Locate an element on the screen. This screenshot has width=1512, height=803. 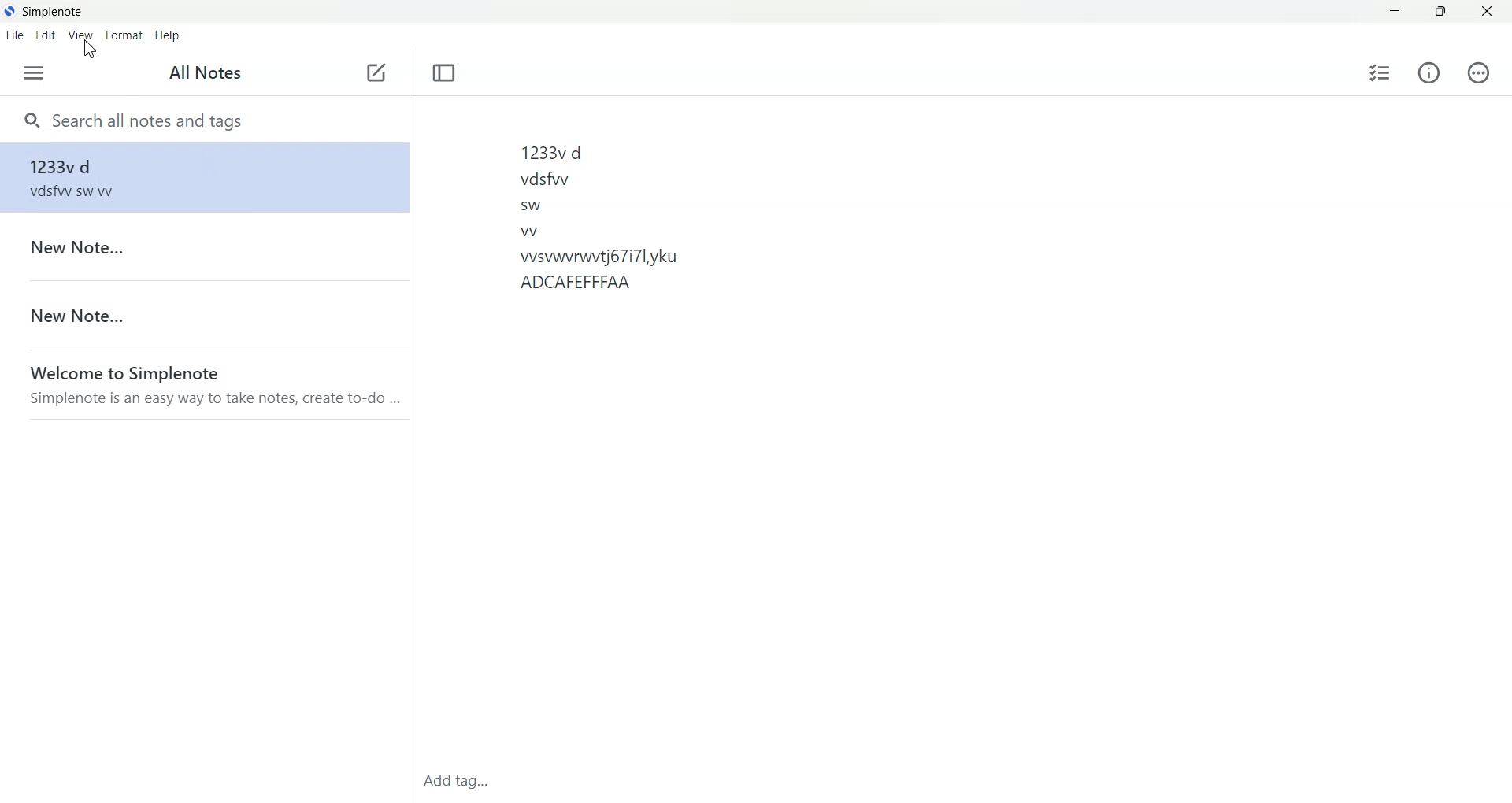
Note File is located at coordinates (204, 315).